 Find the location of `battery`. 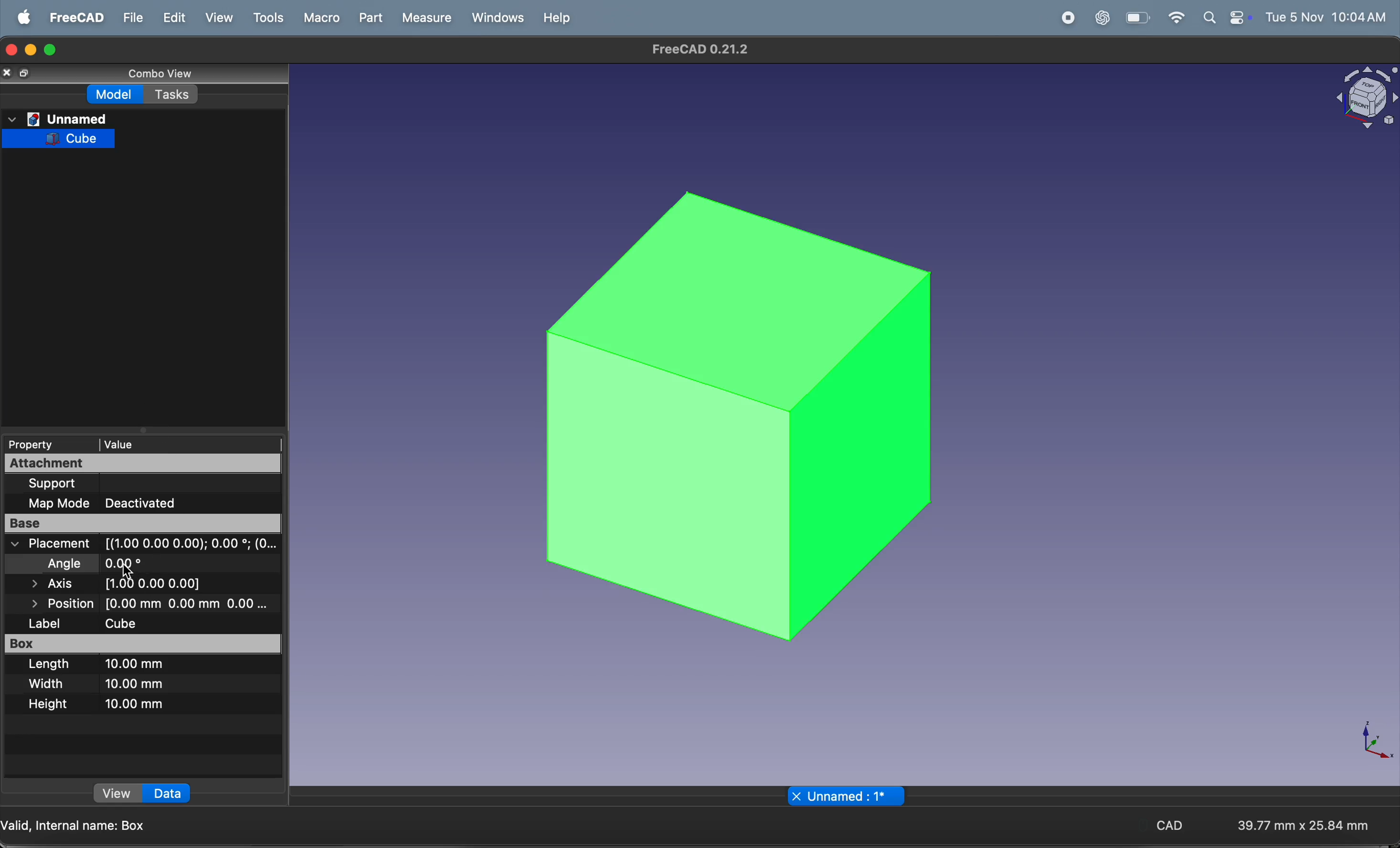

battery is located at coordinates (1242, 18).